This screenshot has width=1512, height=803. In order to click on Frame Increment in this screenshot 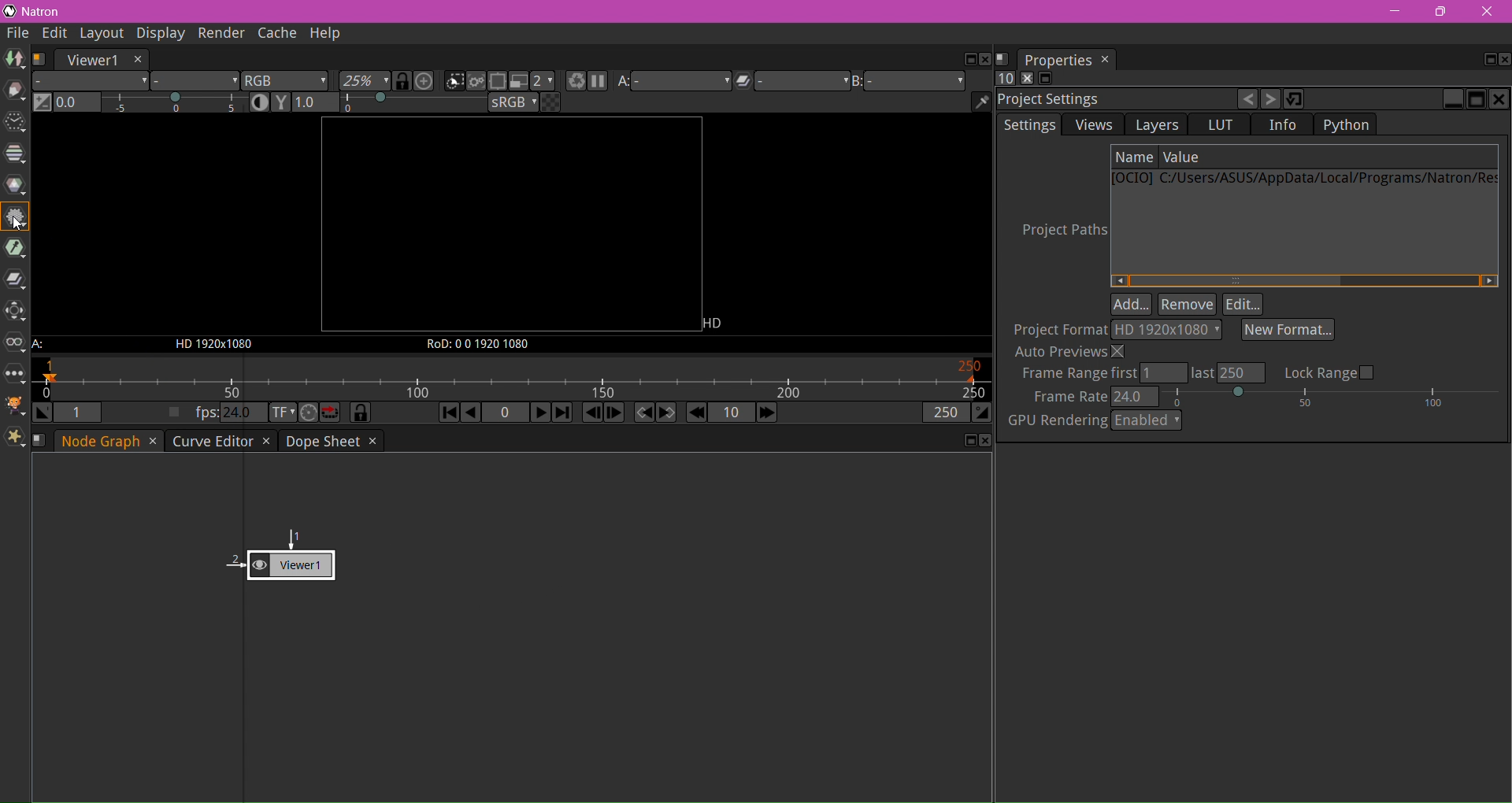, I will do `click(730, 413)`.